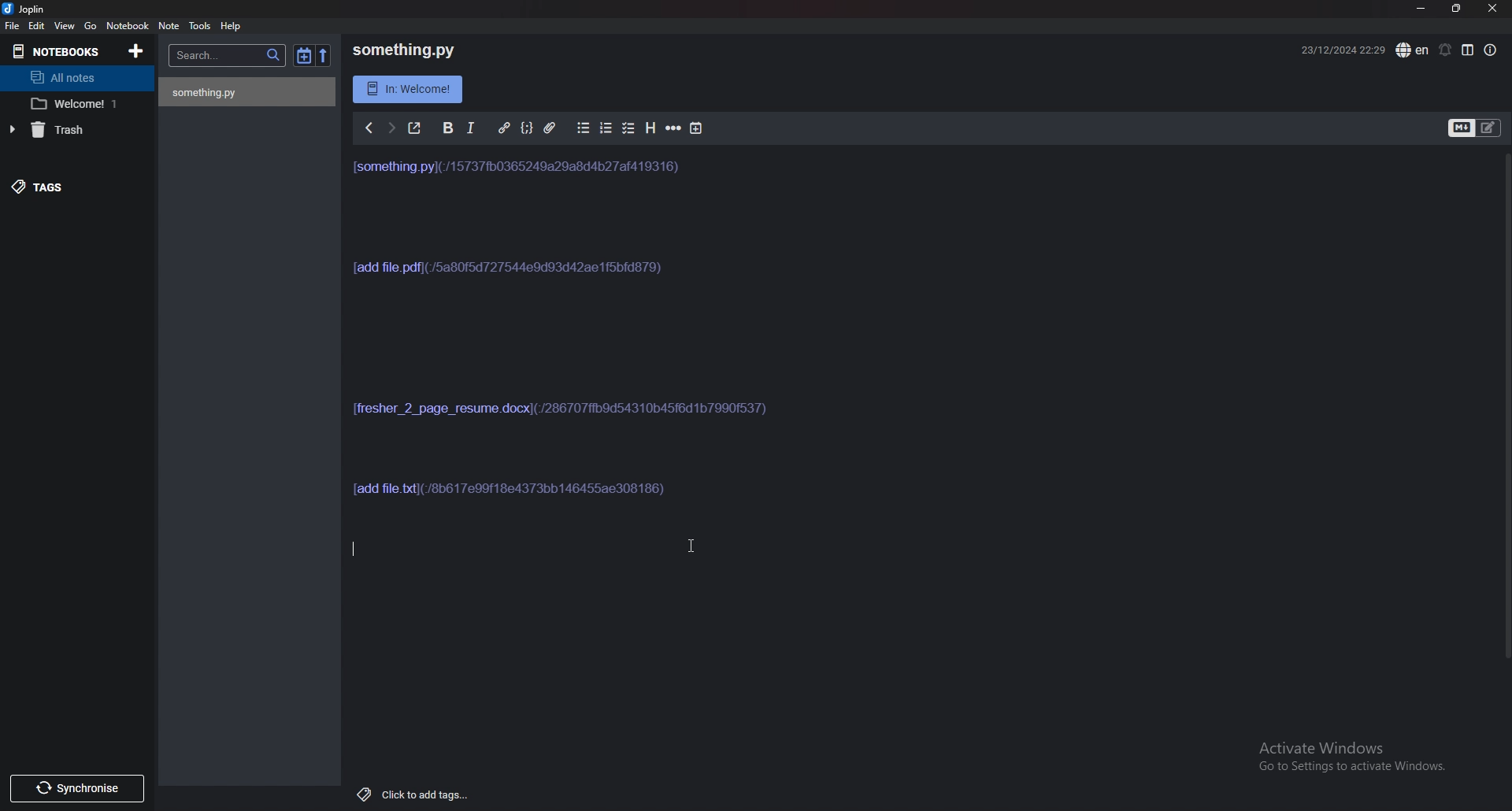 The width and height of the screenshot is (1512, 811). Describe the element at coordinates (576, 361) in the screenshot. I see `note` at that location.